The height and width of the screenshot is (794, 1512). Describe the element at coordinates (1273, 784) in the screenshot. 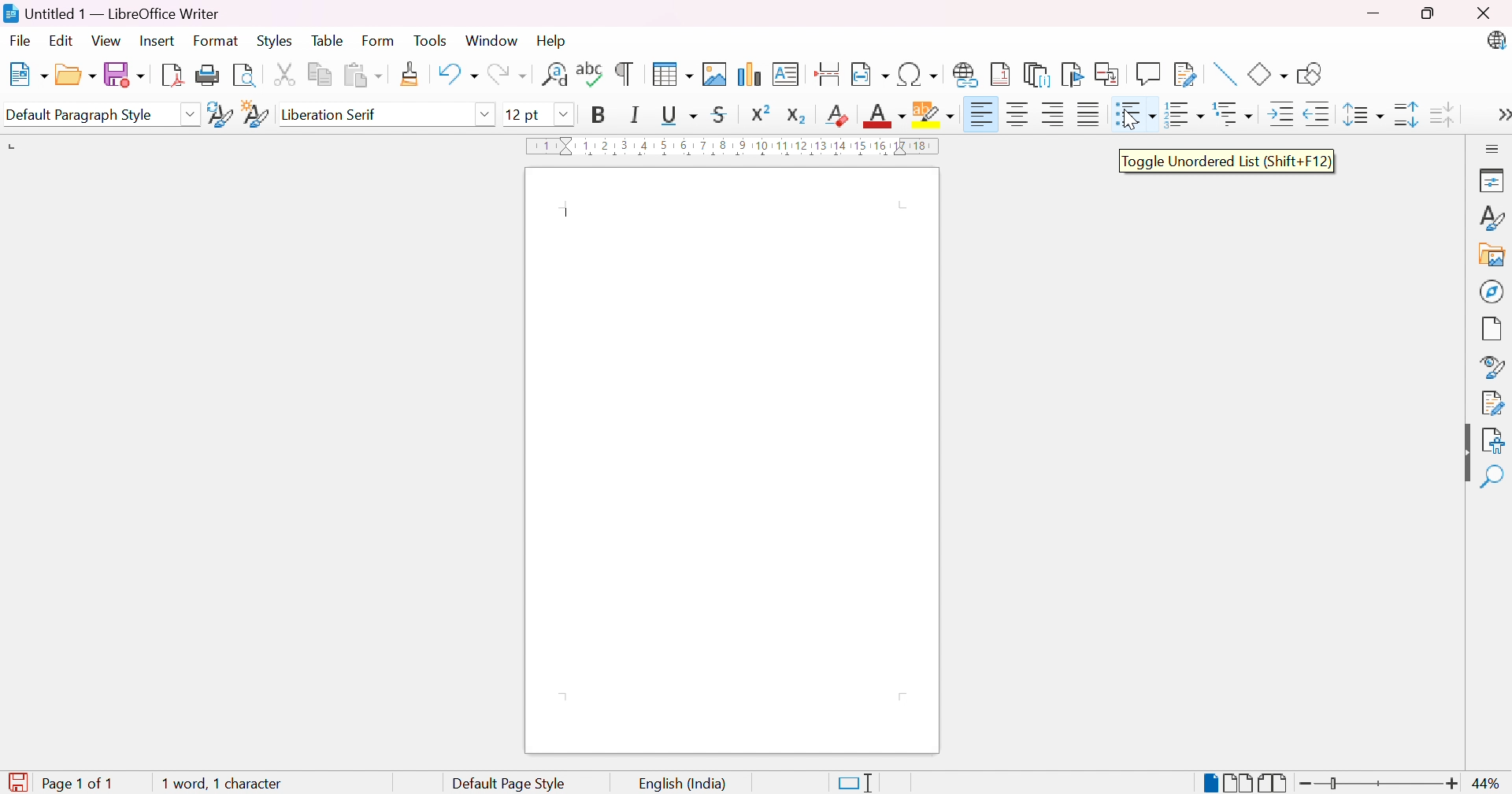

I see `Book view` at that location.